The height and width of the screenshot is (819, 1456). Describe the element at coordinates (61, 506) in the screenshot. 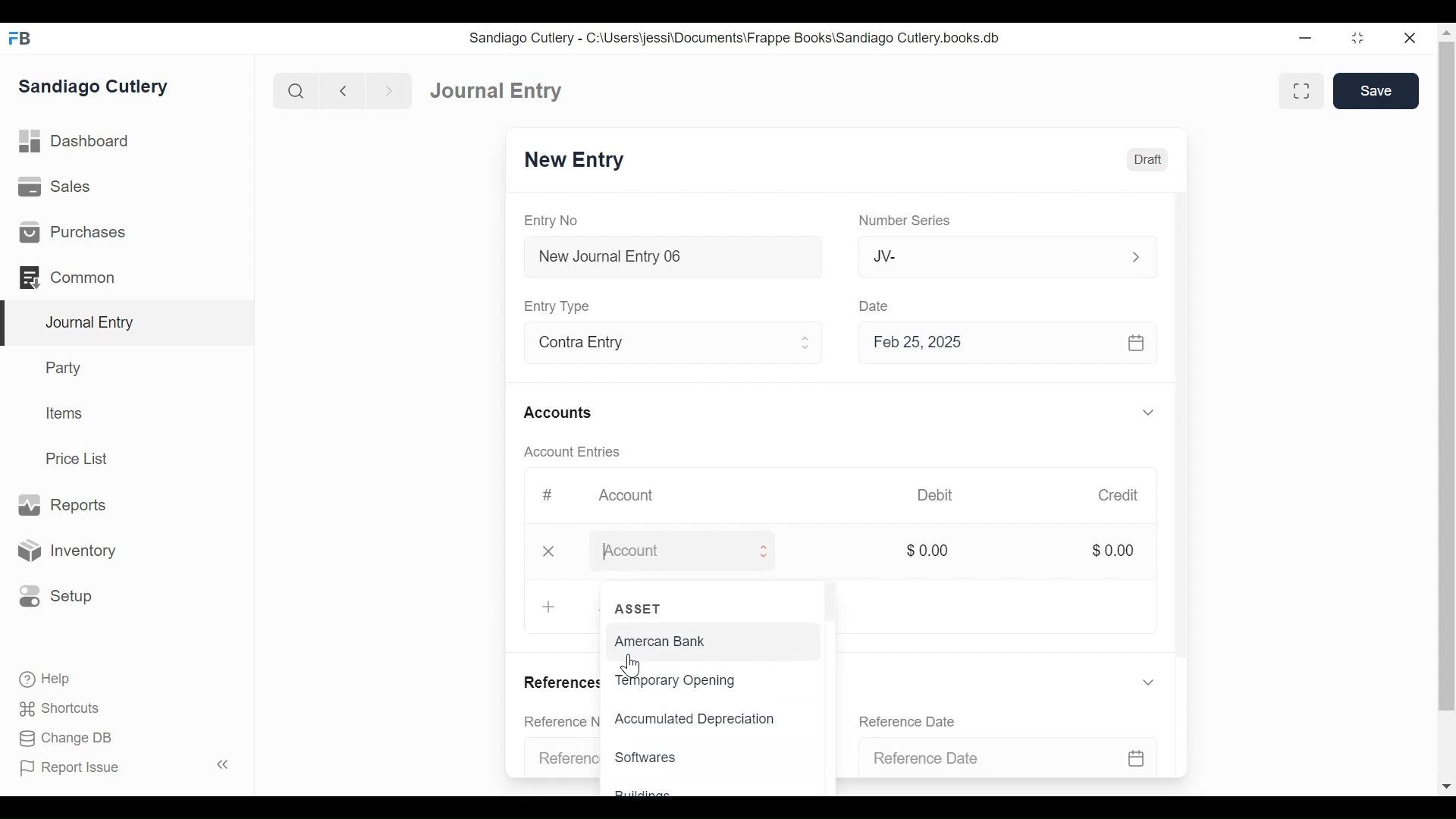

I see `Reports` at that location.